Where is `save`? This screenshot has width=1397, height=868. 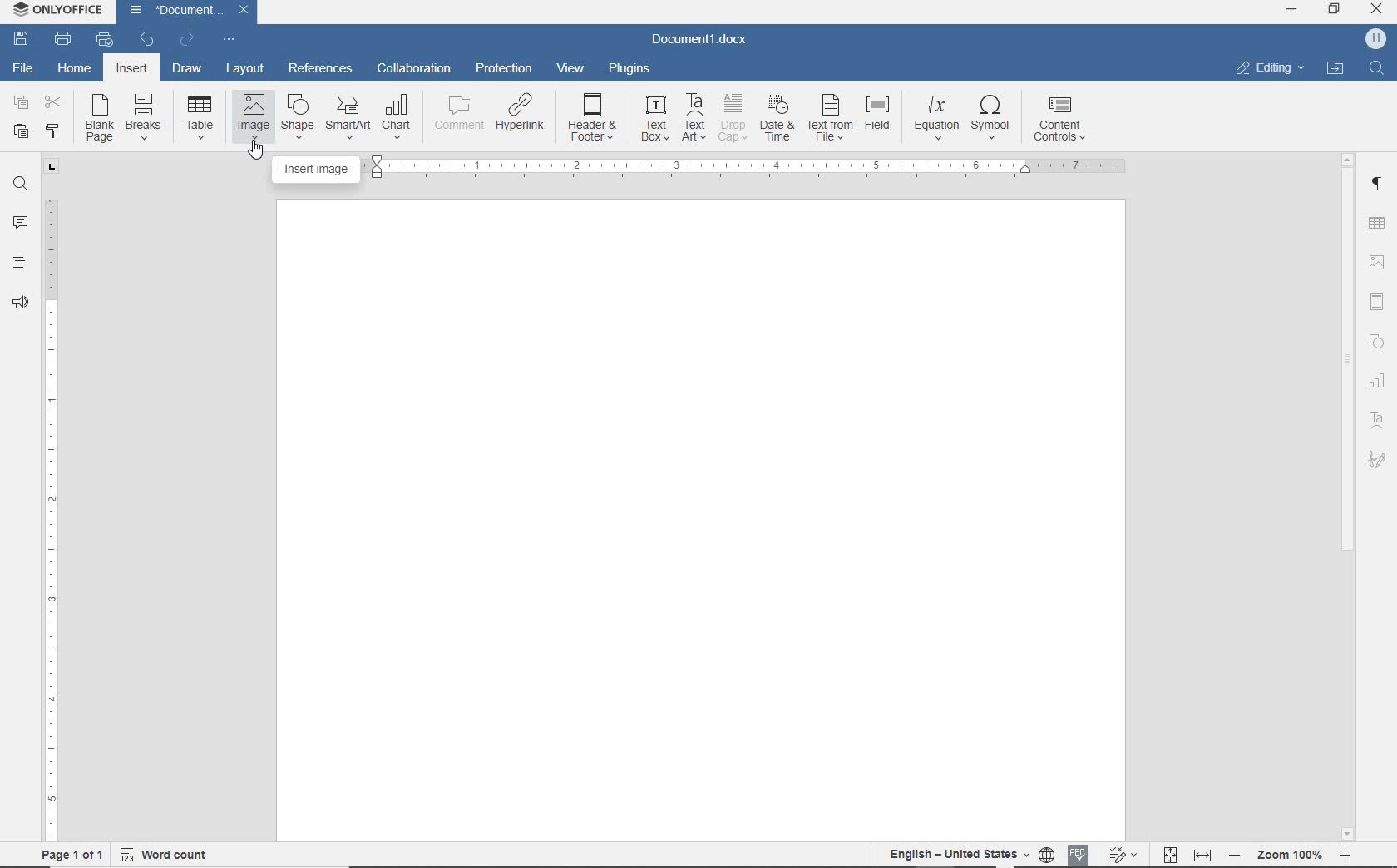
save is located at coordinates (20, 40).